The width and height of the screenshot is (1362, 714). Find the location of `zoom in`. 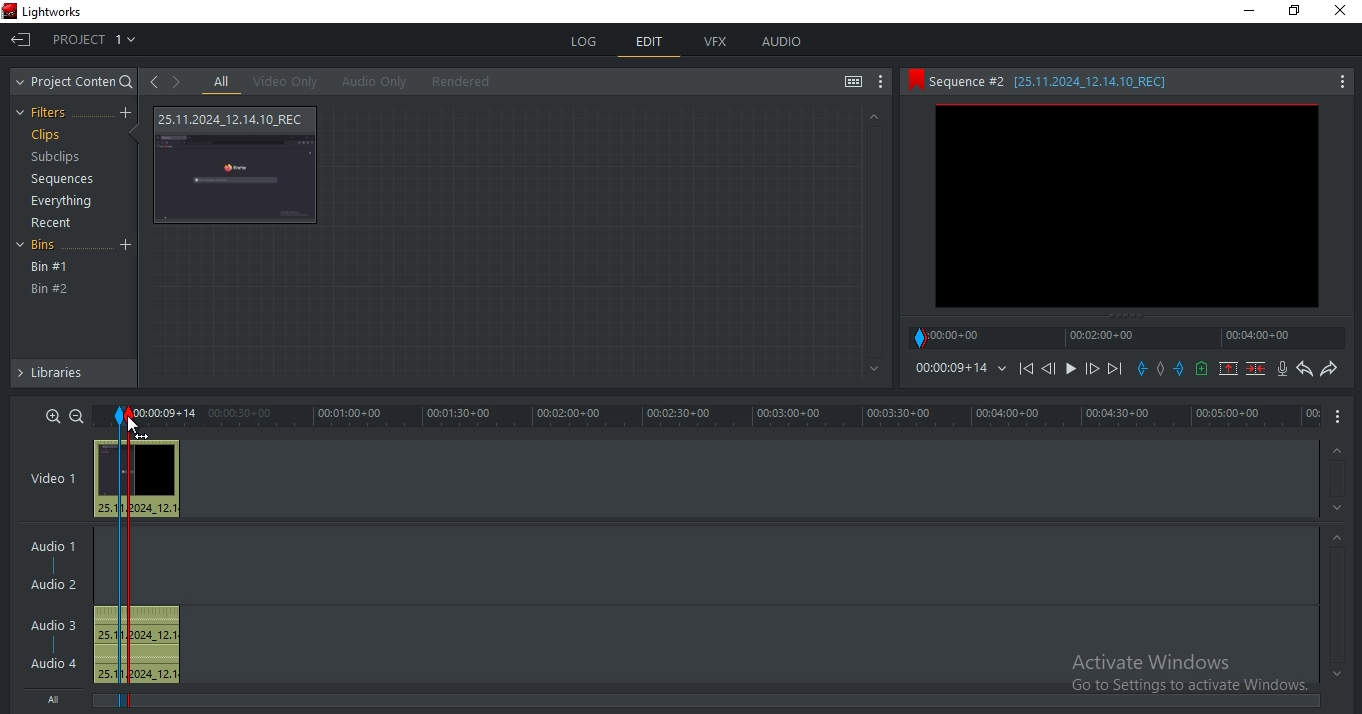

zoom in is located at coordinates (54, 415).